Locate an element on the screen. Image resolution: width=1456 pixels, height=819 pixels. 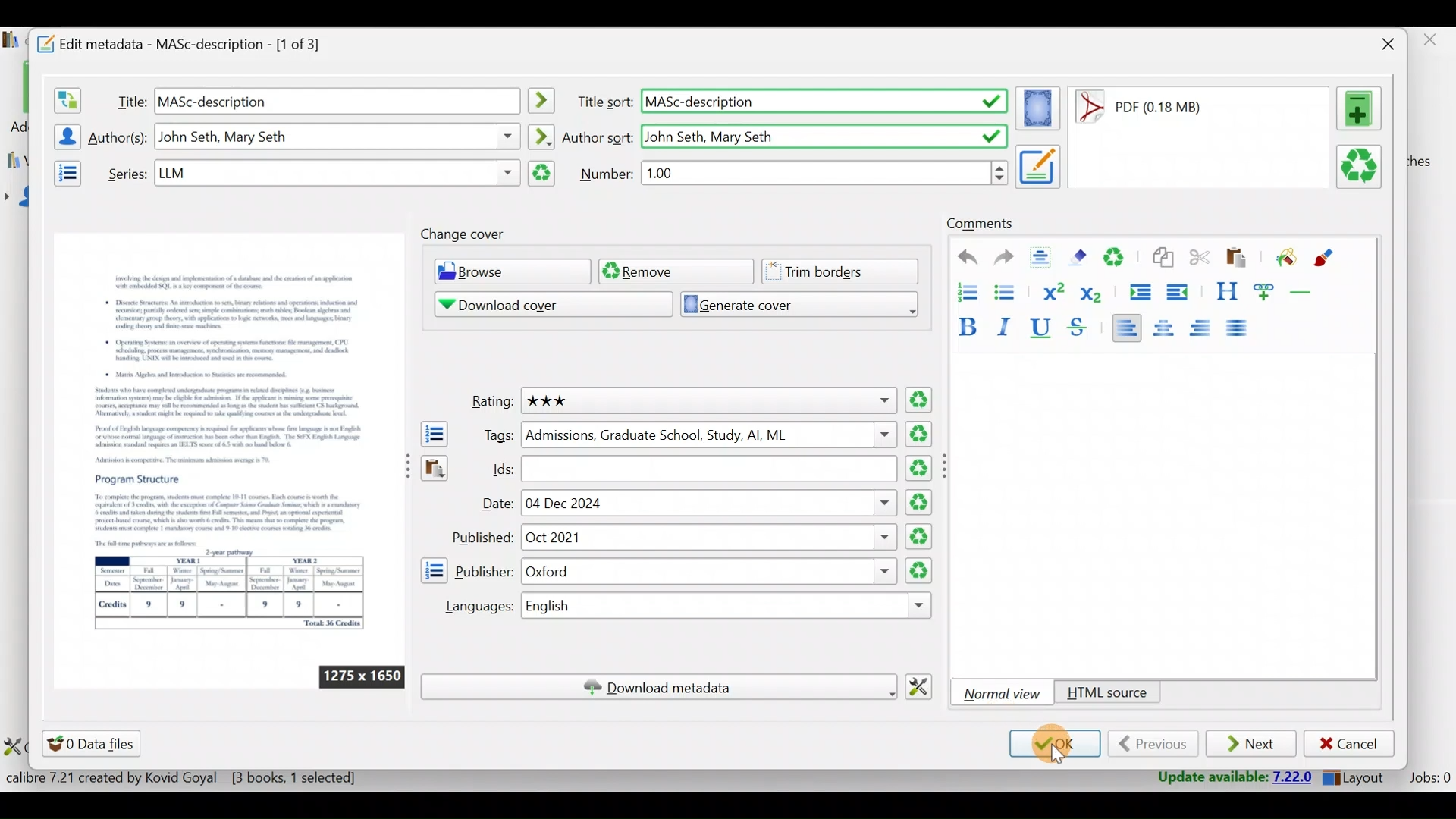
Remove the selected format from this book is located at coordinates (1362, 168).